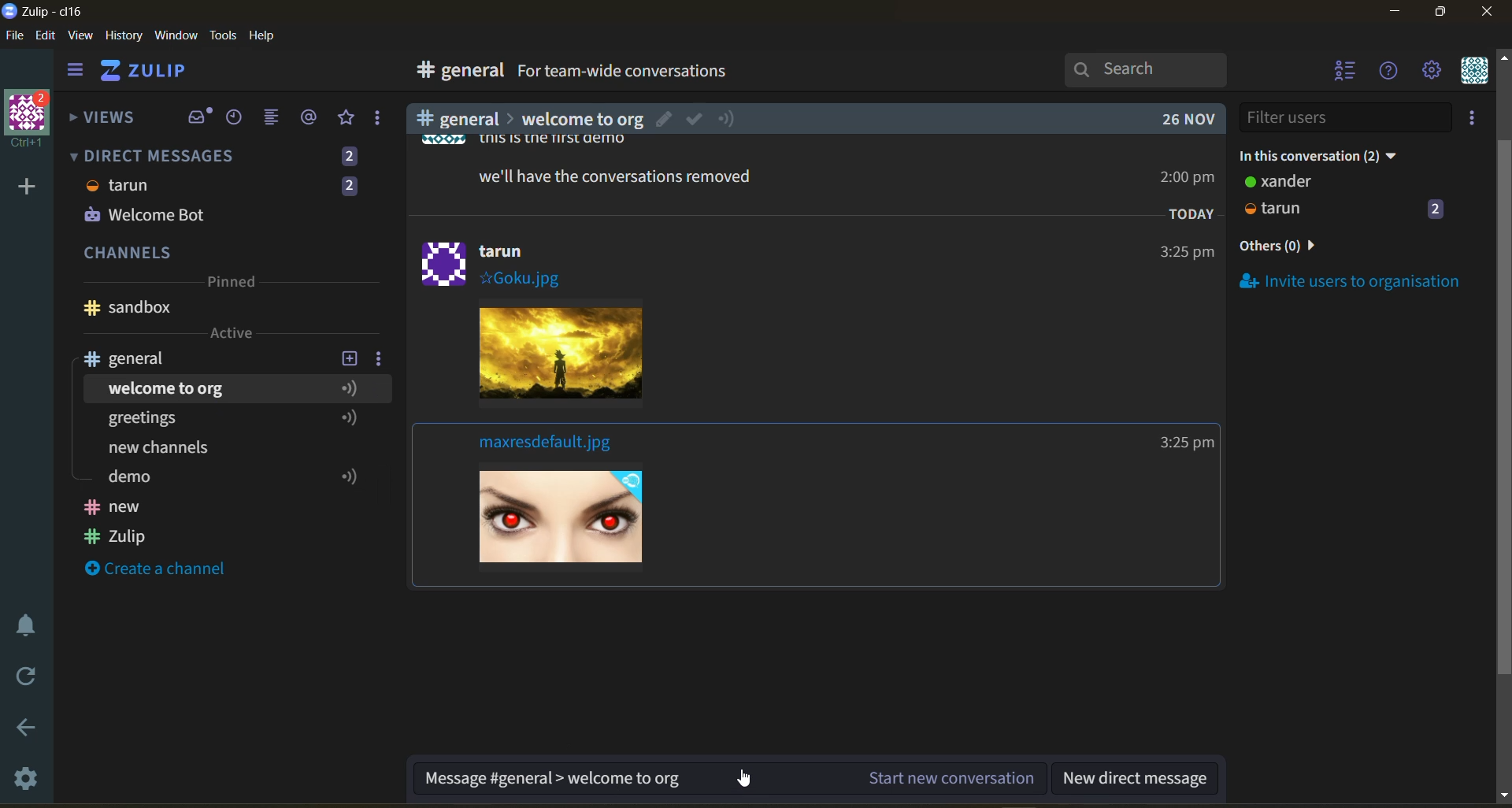  Describe the element at coordinates (81, 36) in the screenshot. I see `view` at that location.